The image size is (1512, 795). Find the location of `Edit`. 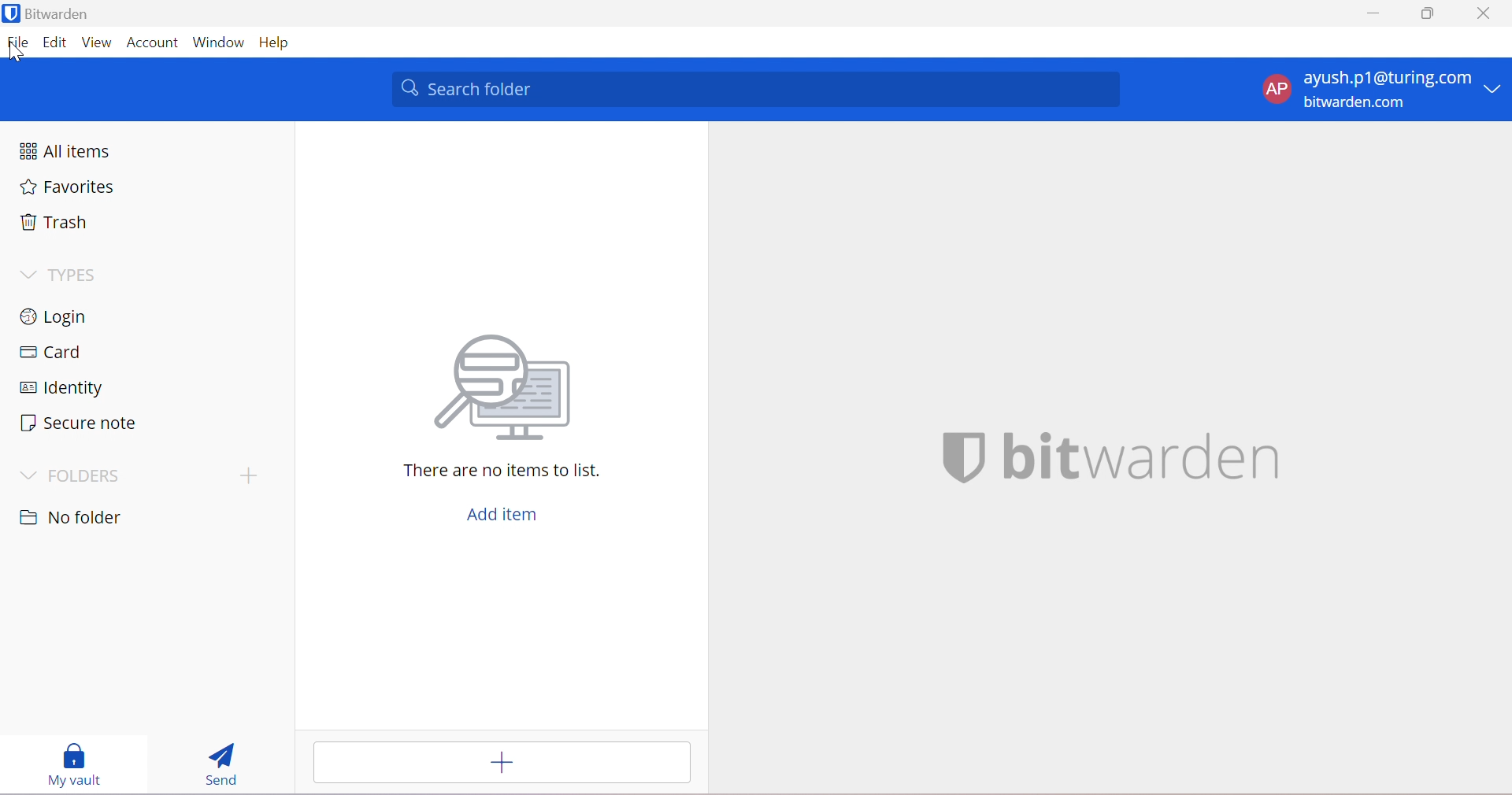

Edit is located at coordinates (54, 44).